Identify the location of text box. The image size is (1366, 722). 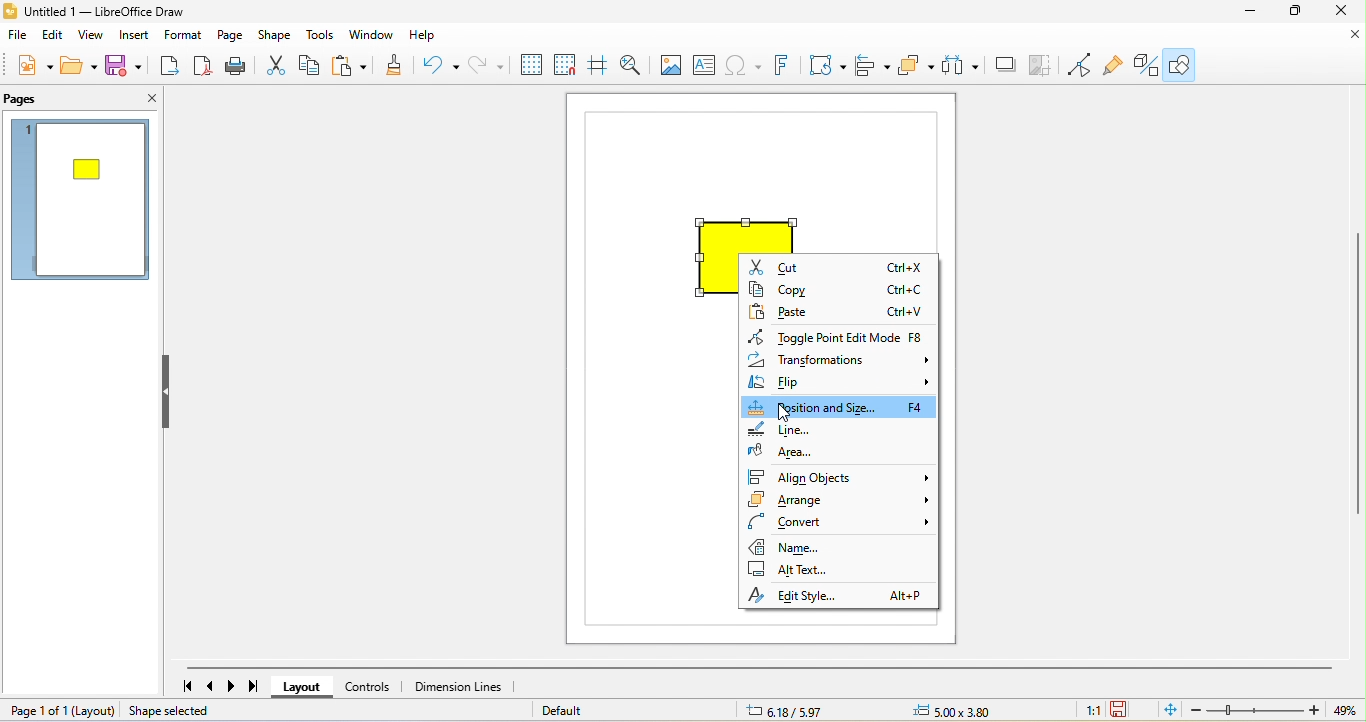
(706, 64).